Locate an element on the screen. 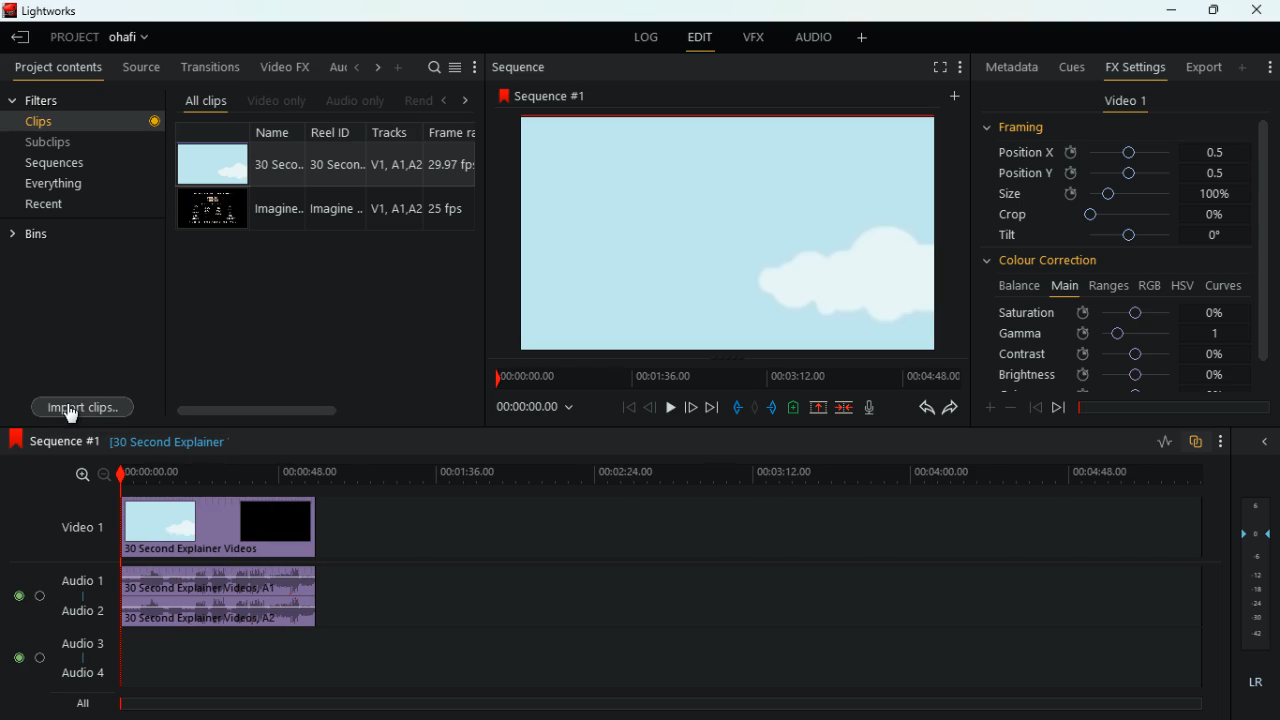 Image resolution: width=1280 pixels, height=720 pixels. close is located at coordinates (1261, 10).